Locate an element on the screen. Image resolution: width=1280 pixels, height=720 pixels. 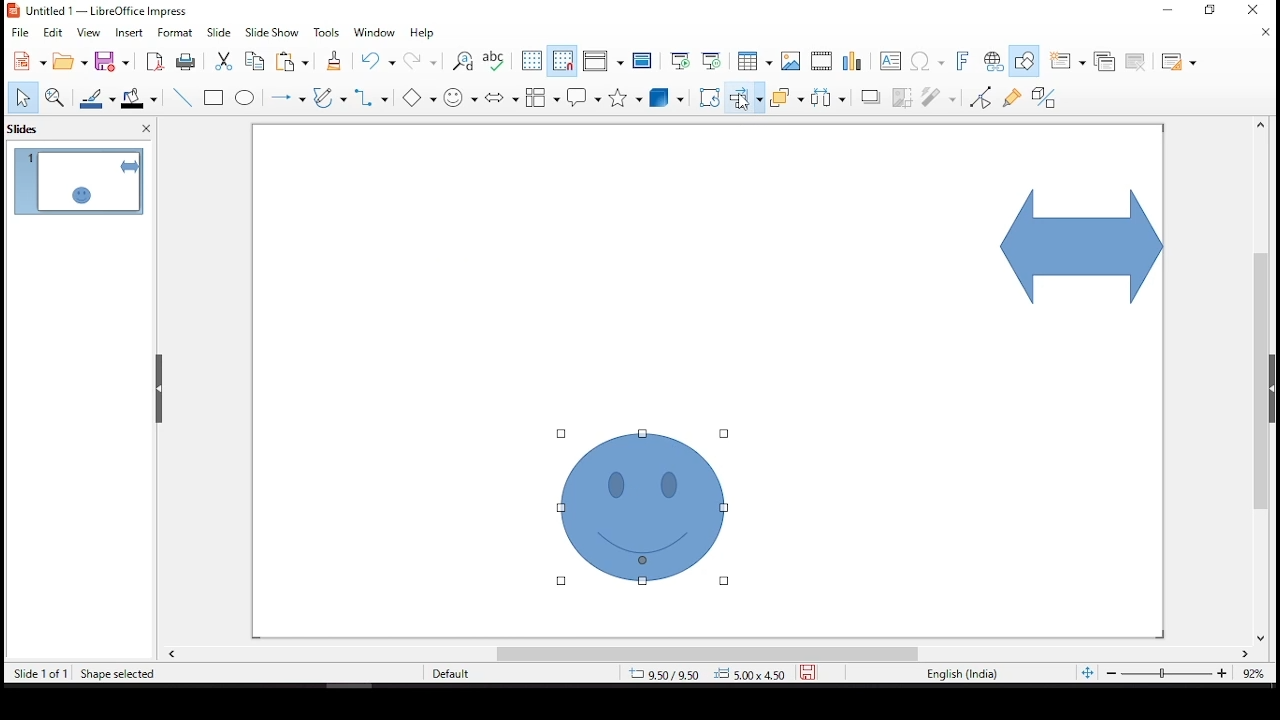
select tool is located at coordinates (23, 96).